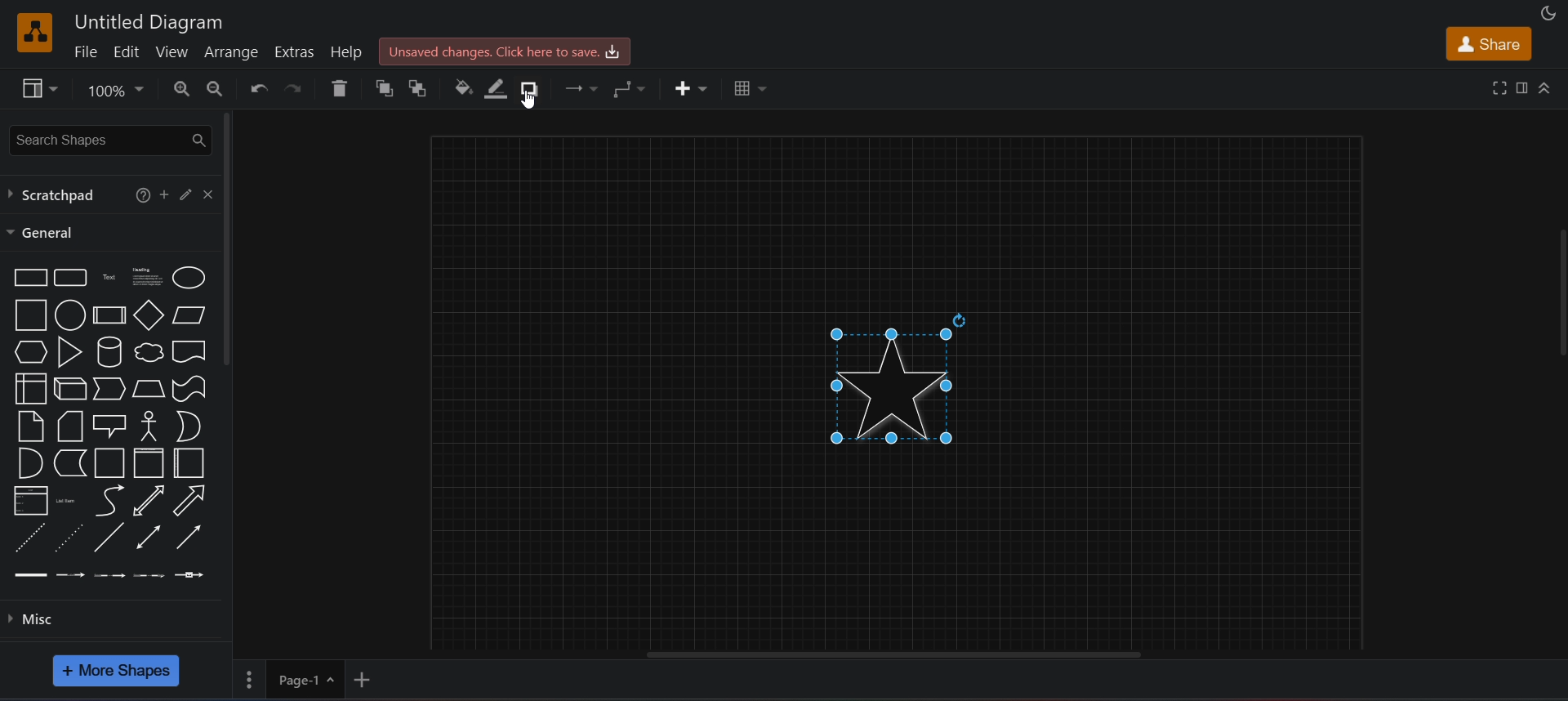 The width and height of the screenshot is (1568, 701). What do you see at coordinates (36, 88) in the screenshot?
I see `view` at bounding box center [36, 88].